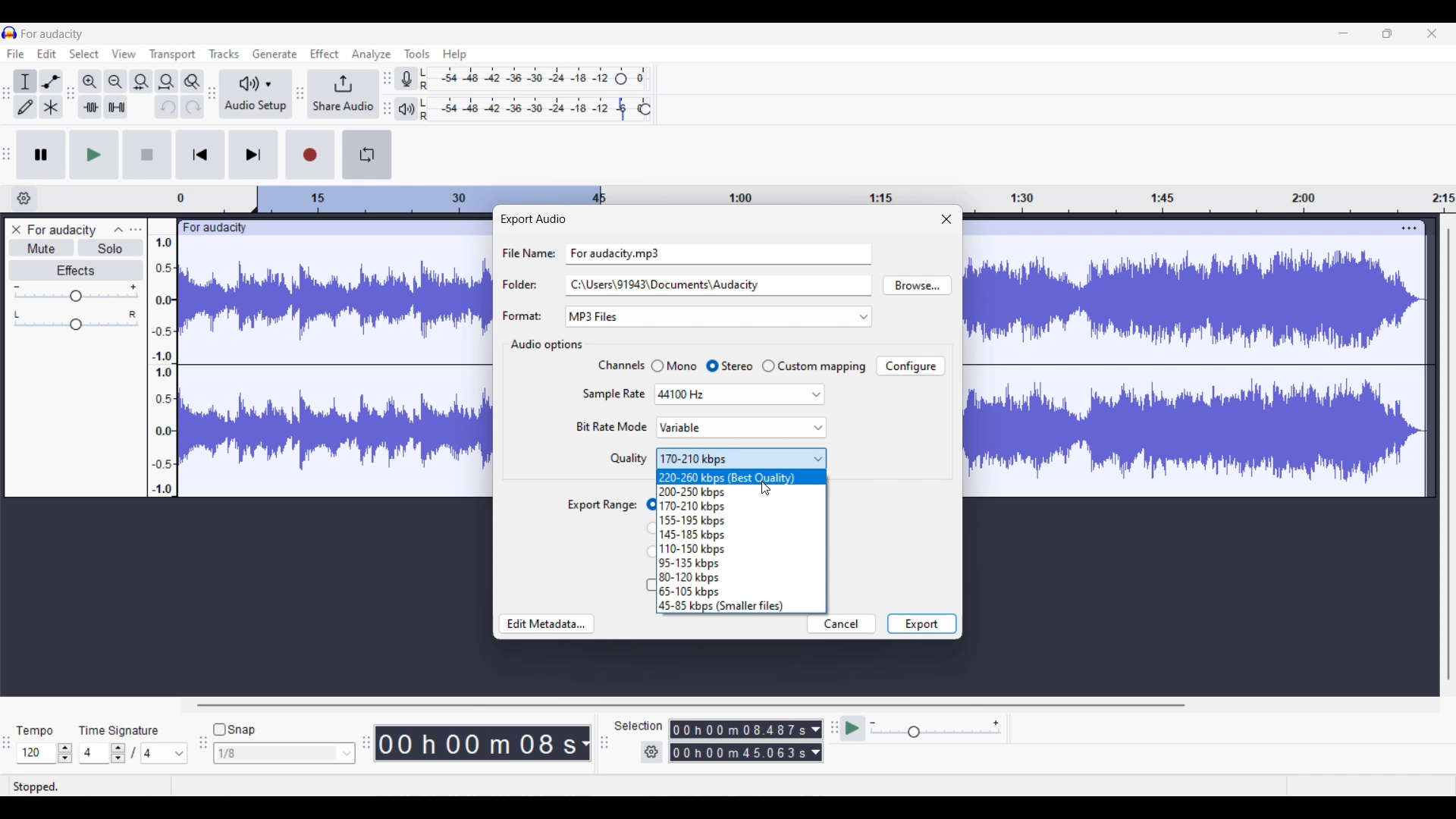  What do you see at coordinates (1181, 359) in the screenshot?
I see `Current track` at bounding box center [1181, 359].